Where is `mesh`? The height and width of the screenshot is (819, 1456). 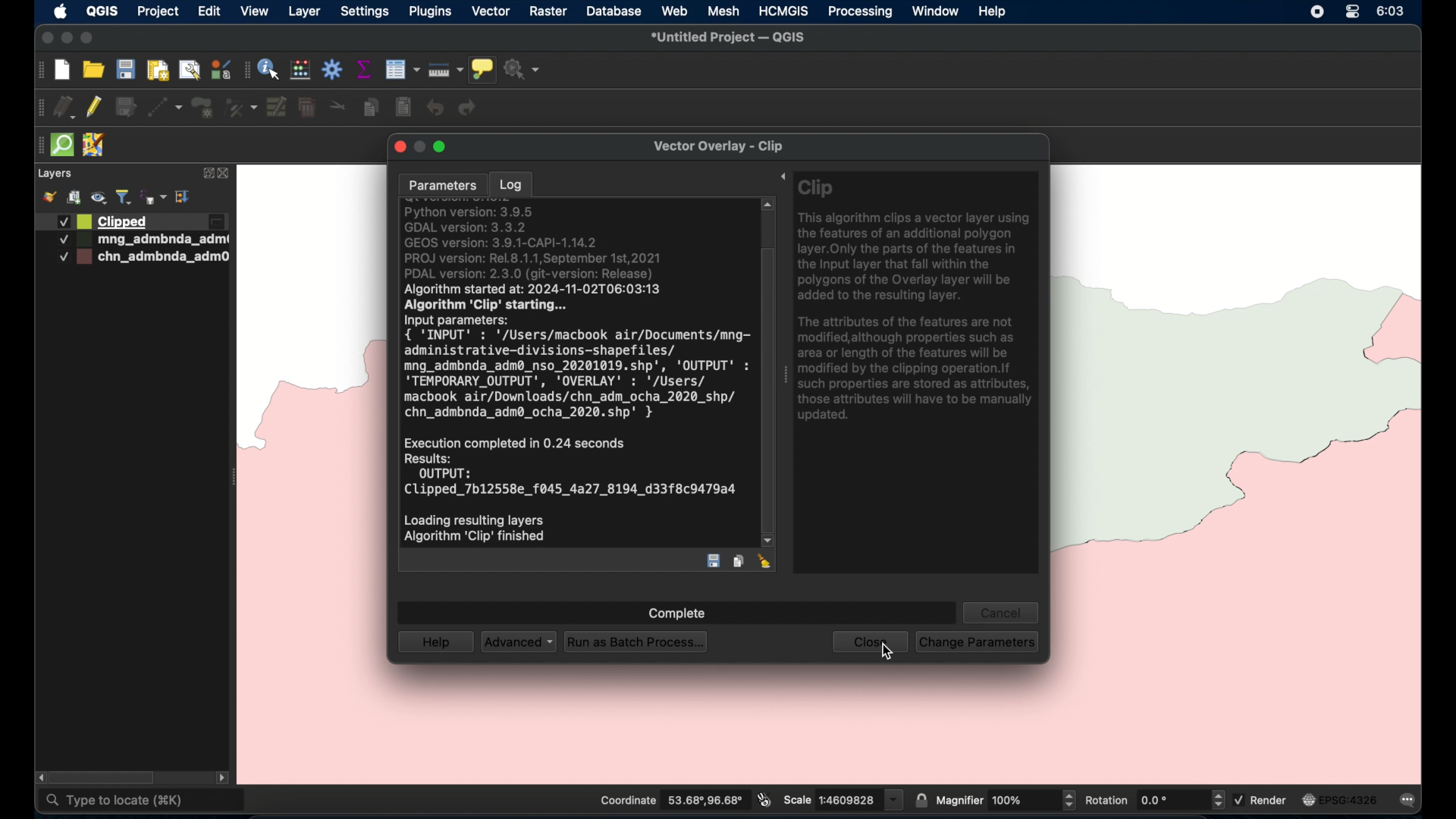 mesh is located at coordinates (723, 12).